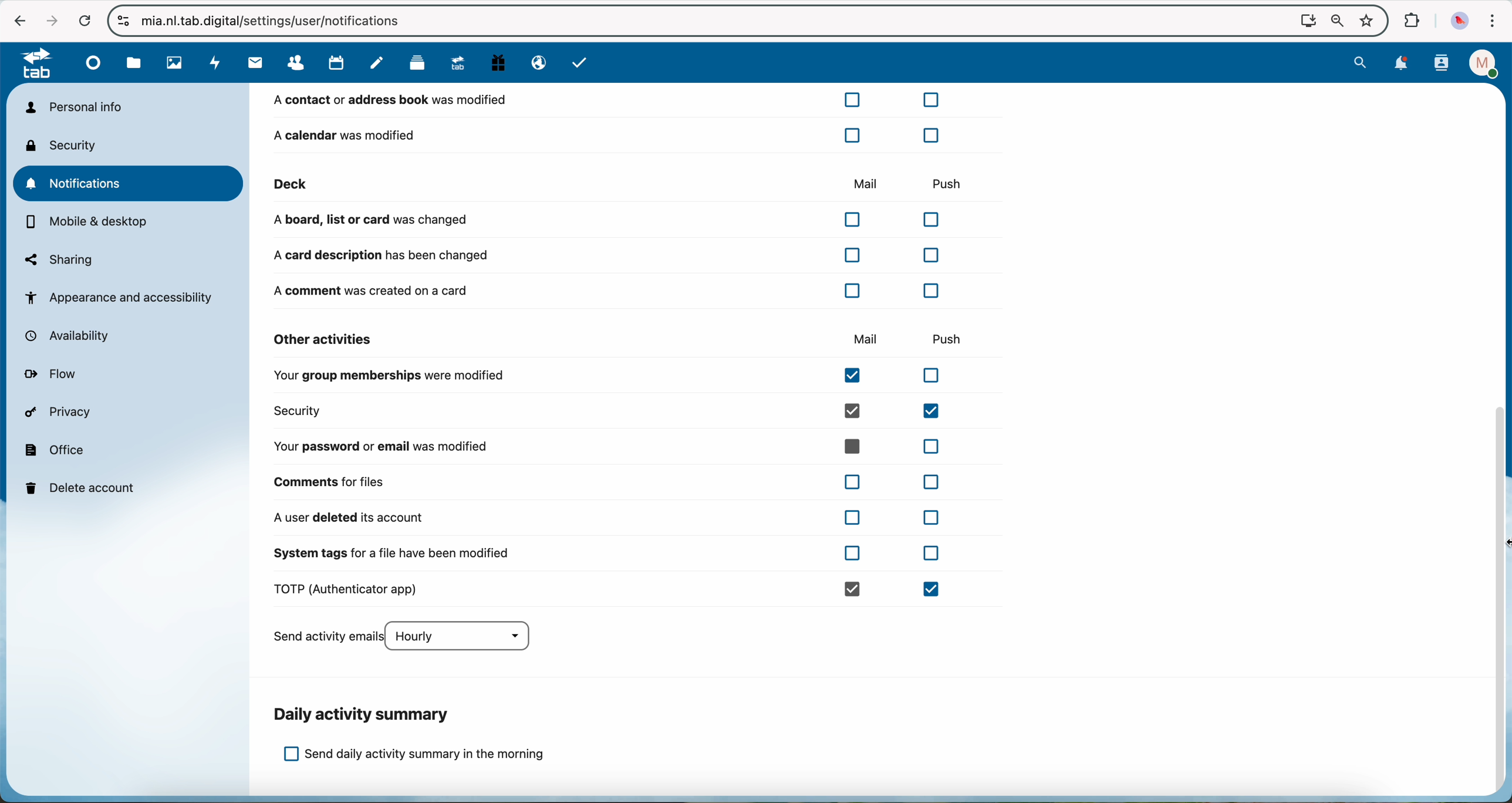 Image resolution: width=1512 pixels, height=803 pixels. I want to click on notifications, so click(1402, 63).